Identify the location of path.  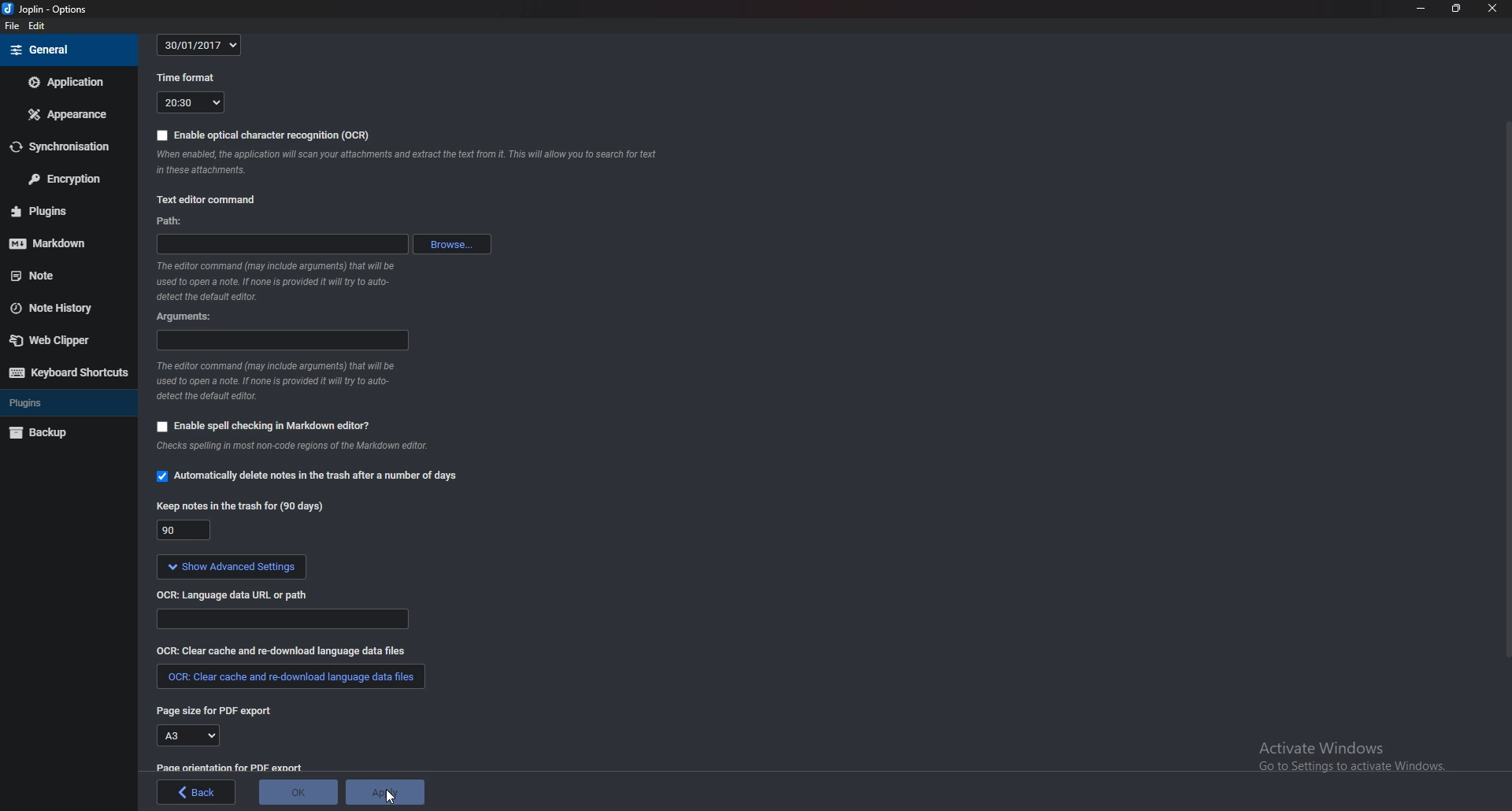
(177, 220).